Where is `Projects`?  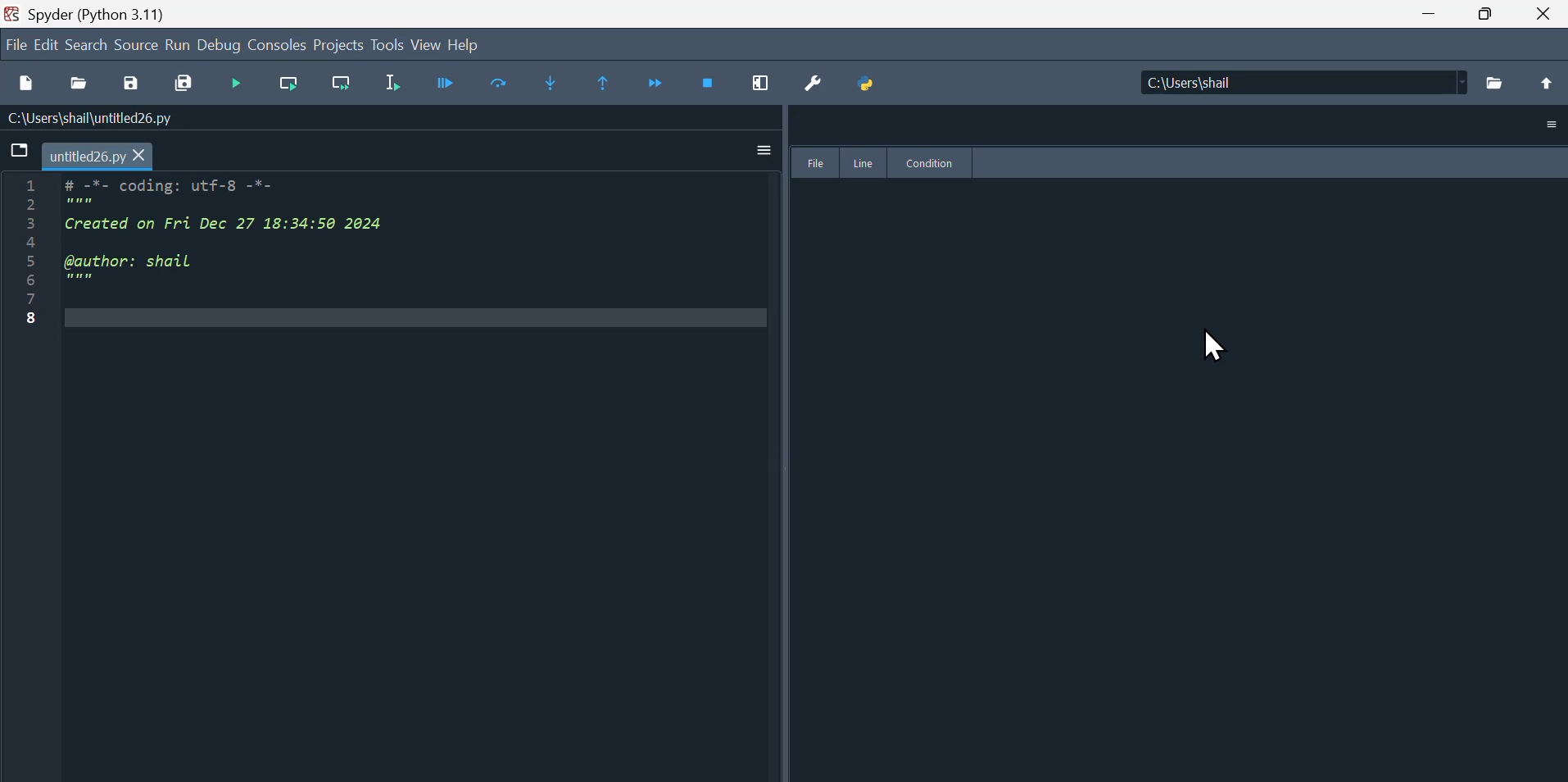 Projects is located at coordinates (334, 47).